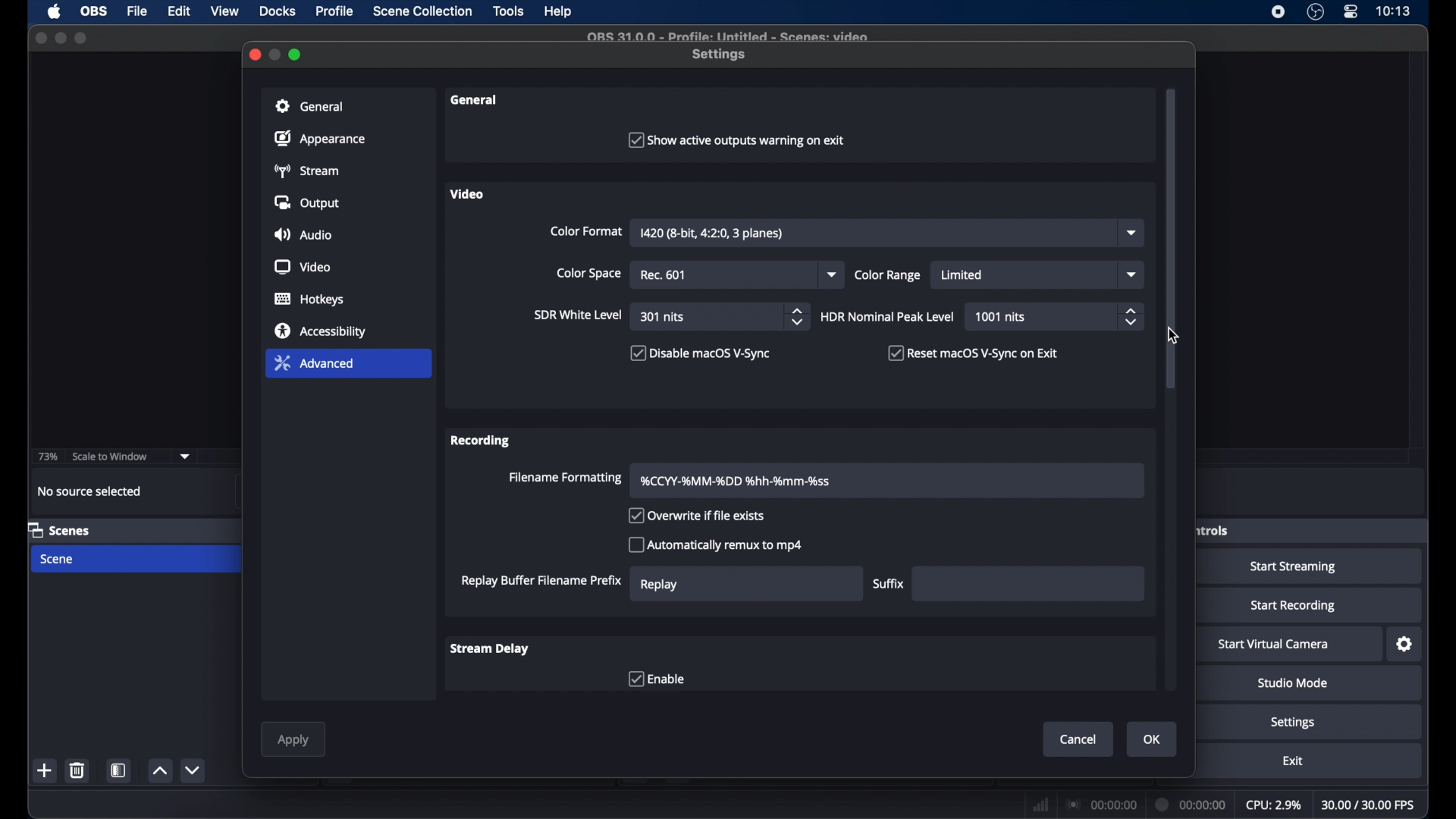  Describe the element at coordinates (1294, 567) in the screenshot. I see `start streaming` at that location.